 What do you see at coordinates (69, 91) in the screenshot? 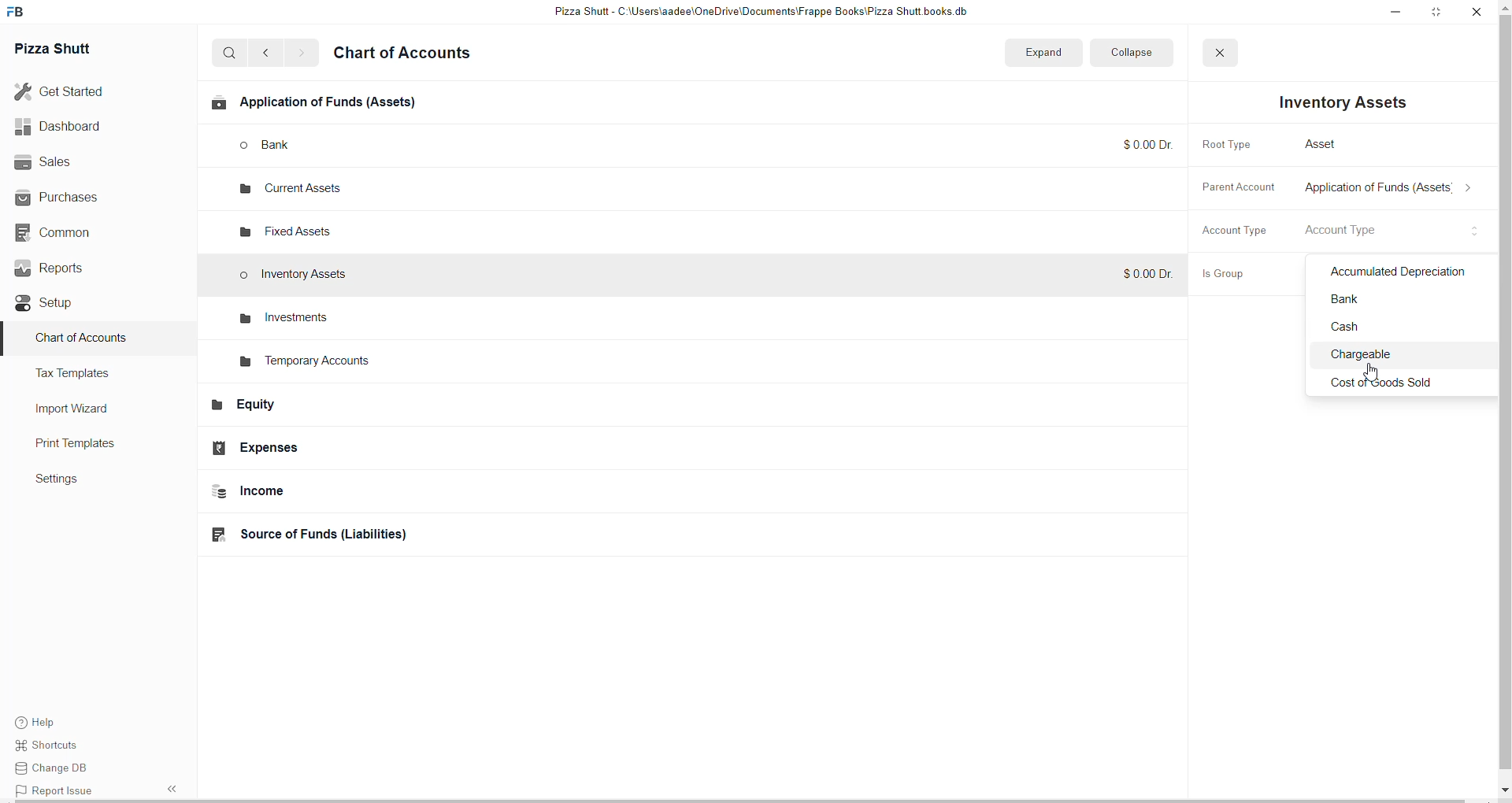
I see `Get started ` at bounding box center [69, 91].